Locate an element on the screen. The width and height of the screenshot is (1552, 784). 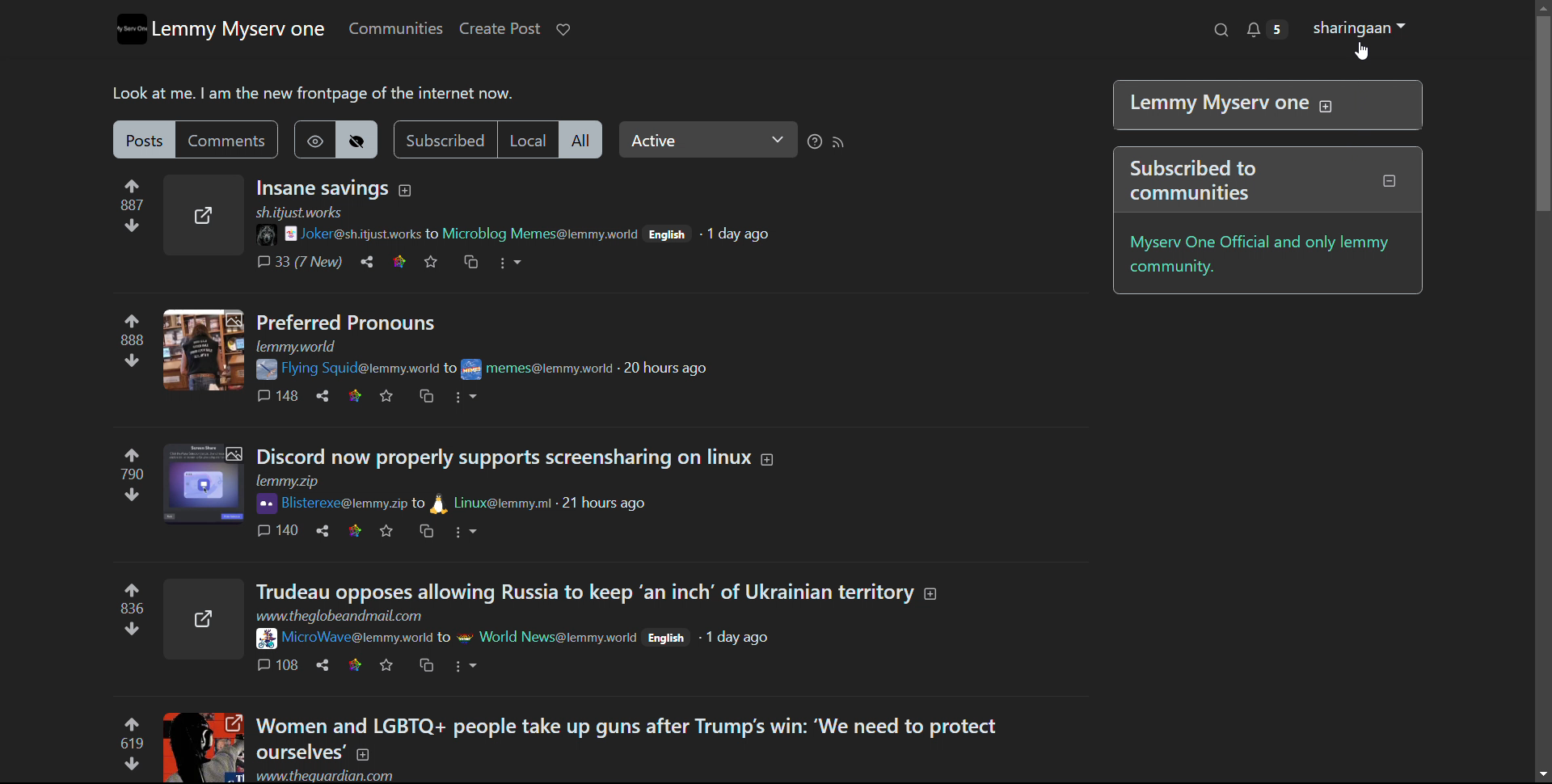
lemmy myserv one is located at coordinates (239, 30).